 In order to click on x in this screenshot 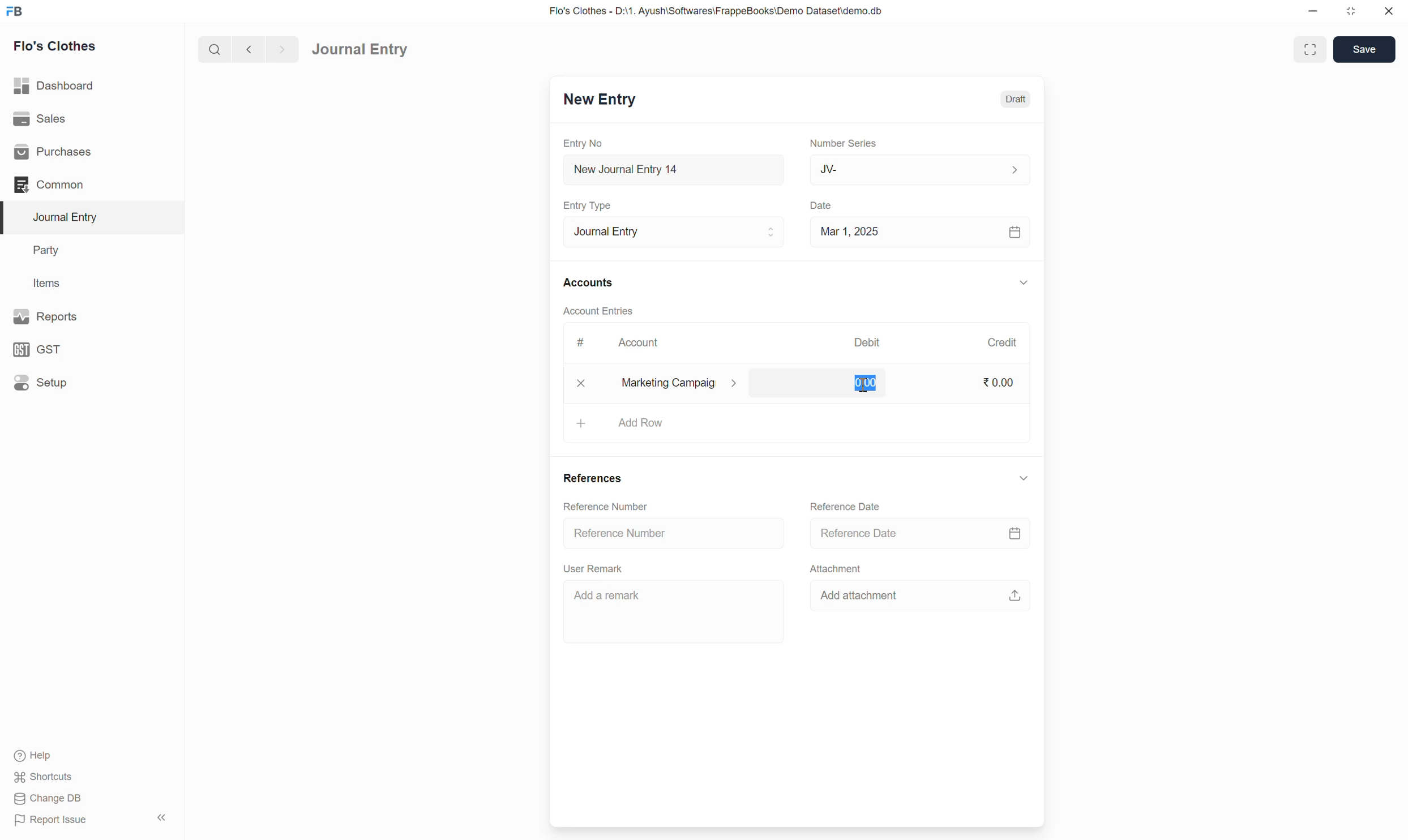, I will do `click(582, 383)`.